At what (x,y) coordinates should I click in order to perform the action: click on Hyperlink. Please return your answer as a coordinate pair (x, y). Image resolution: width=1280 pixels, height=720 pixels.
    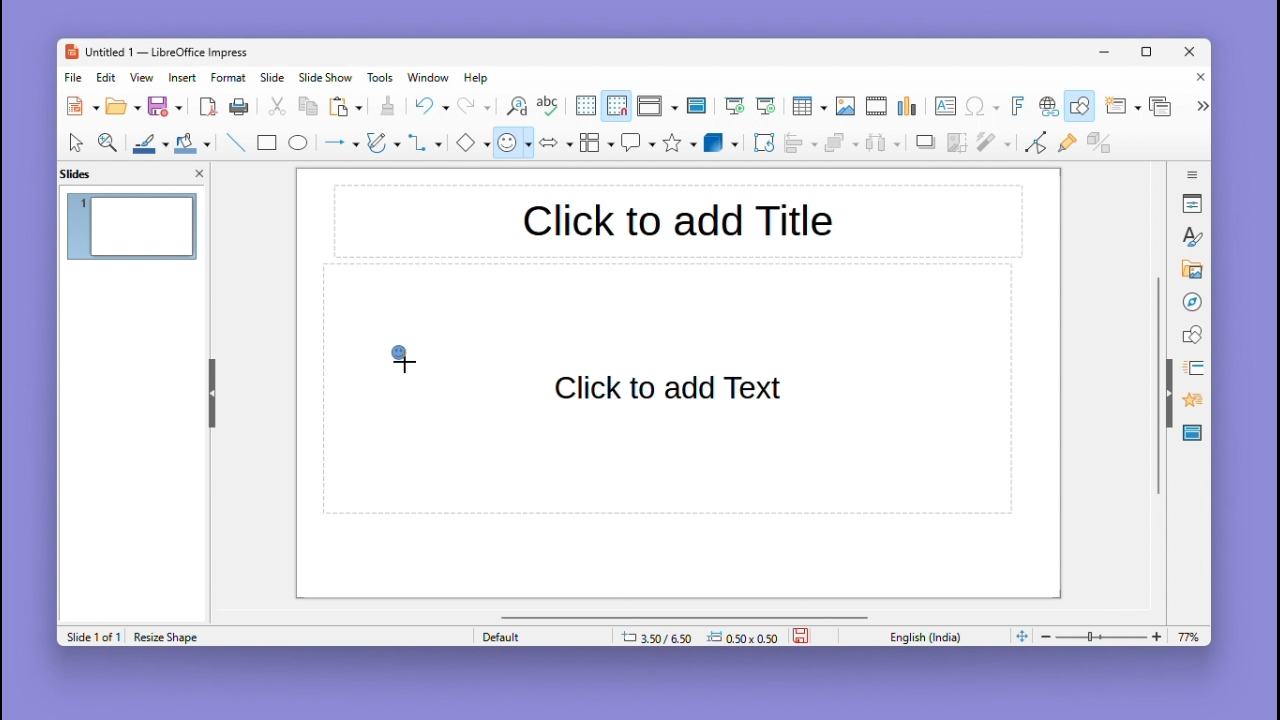
    Looking at the image, I should click on (1046, 108).